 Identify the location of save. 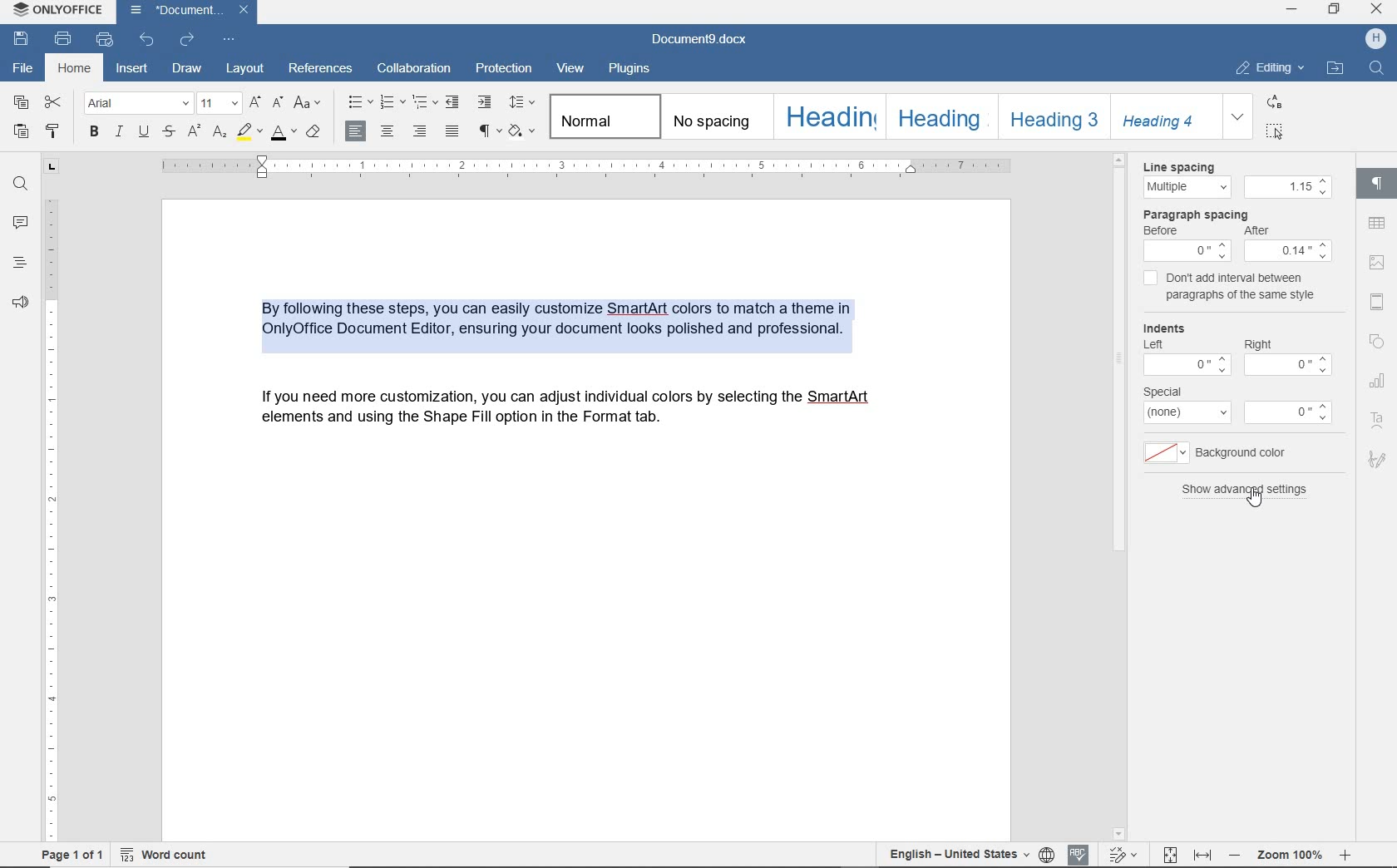
(22, 37).